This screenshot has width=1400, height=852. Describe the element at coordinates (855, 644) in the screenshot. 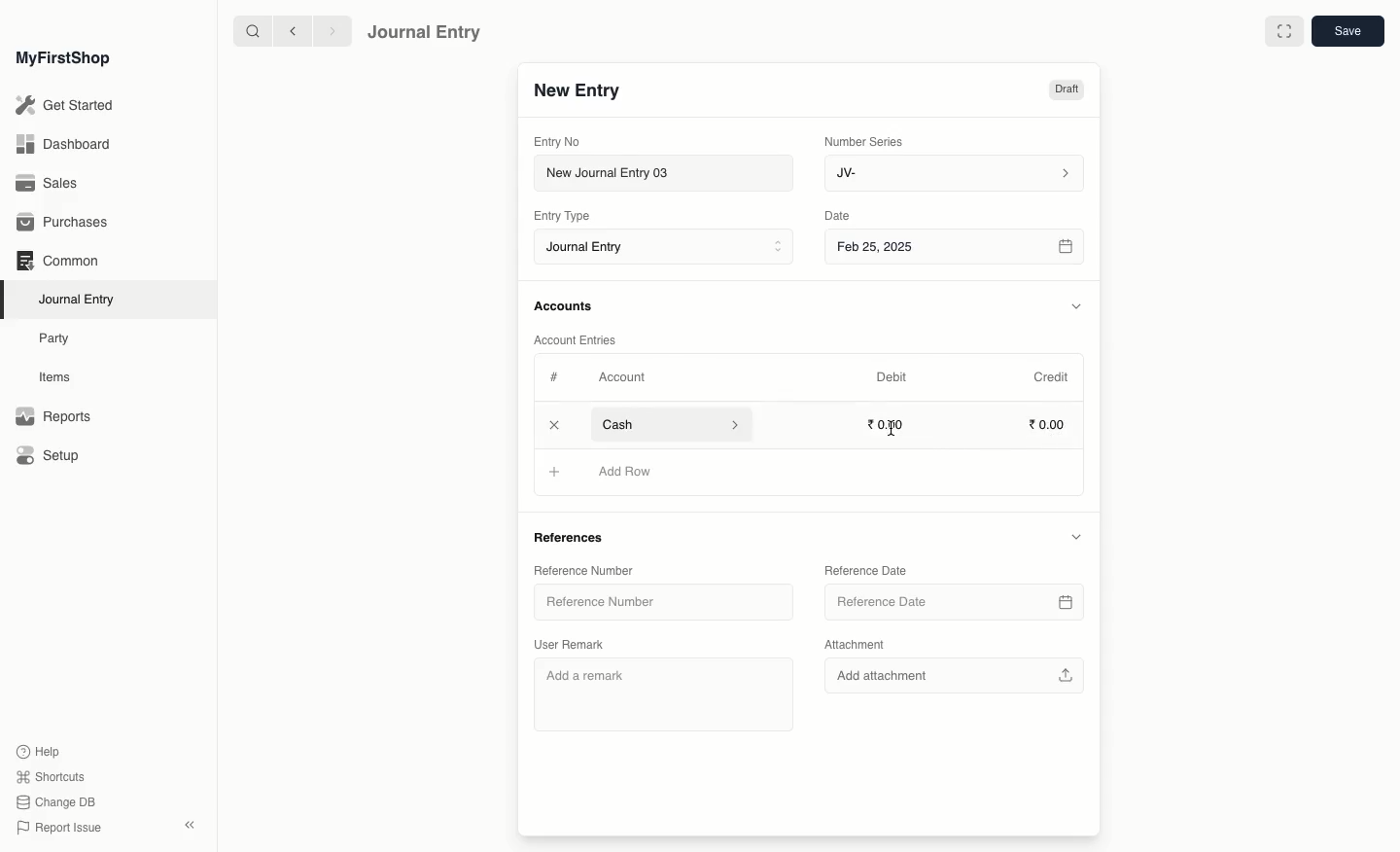

I see `Attachment` at that location.